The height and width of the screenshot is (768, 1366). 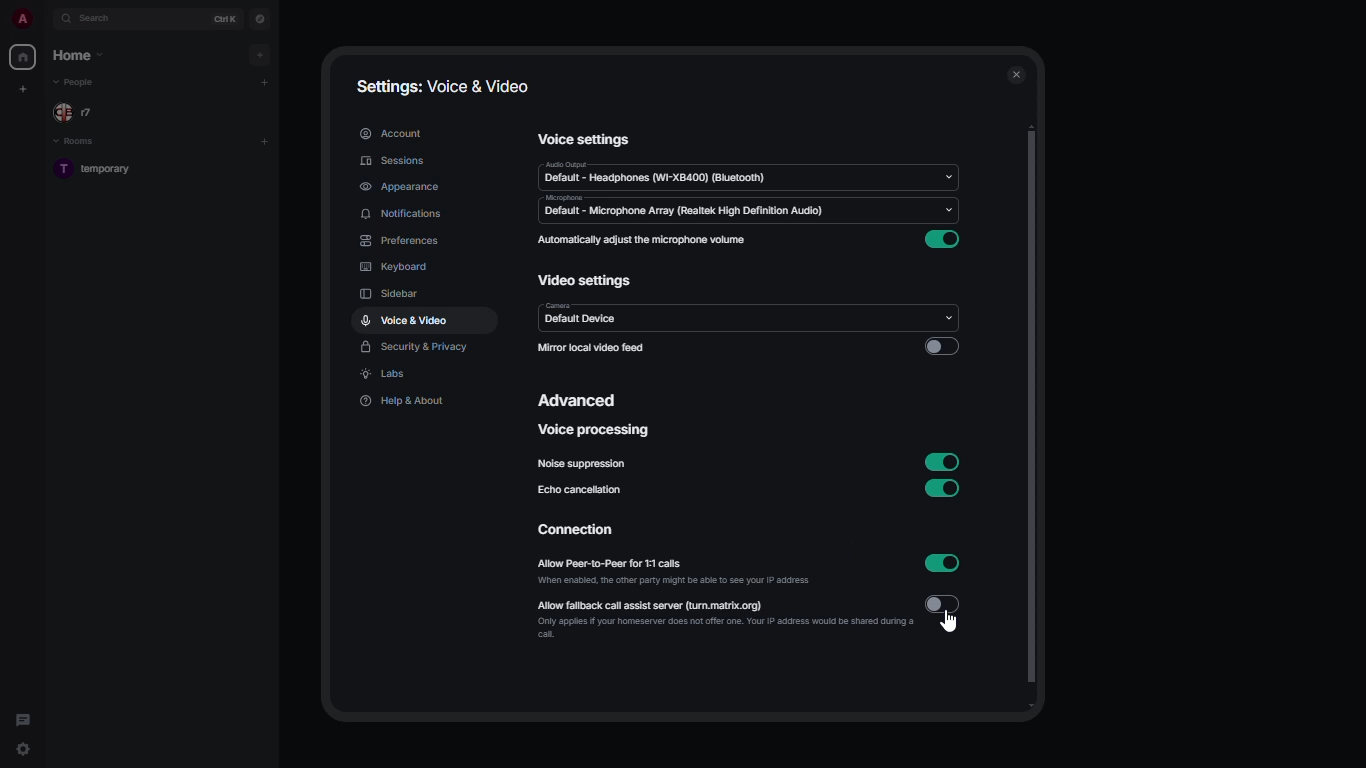 I want to click on preferences, so click(x=402, y=241).